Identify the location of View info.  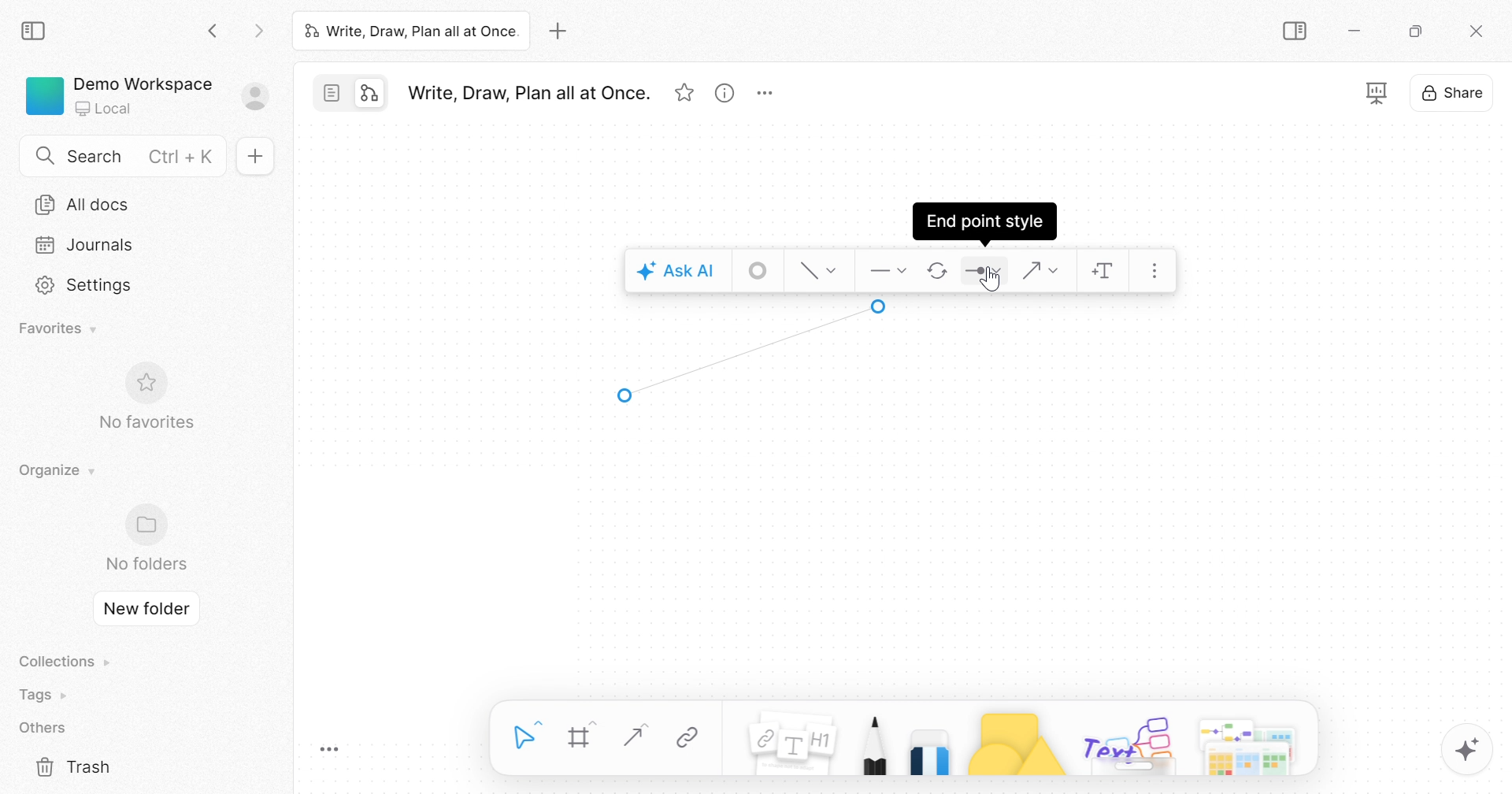
(724, 96).